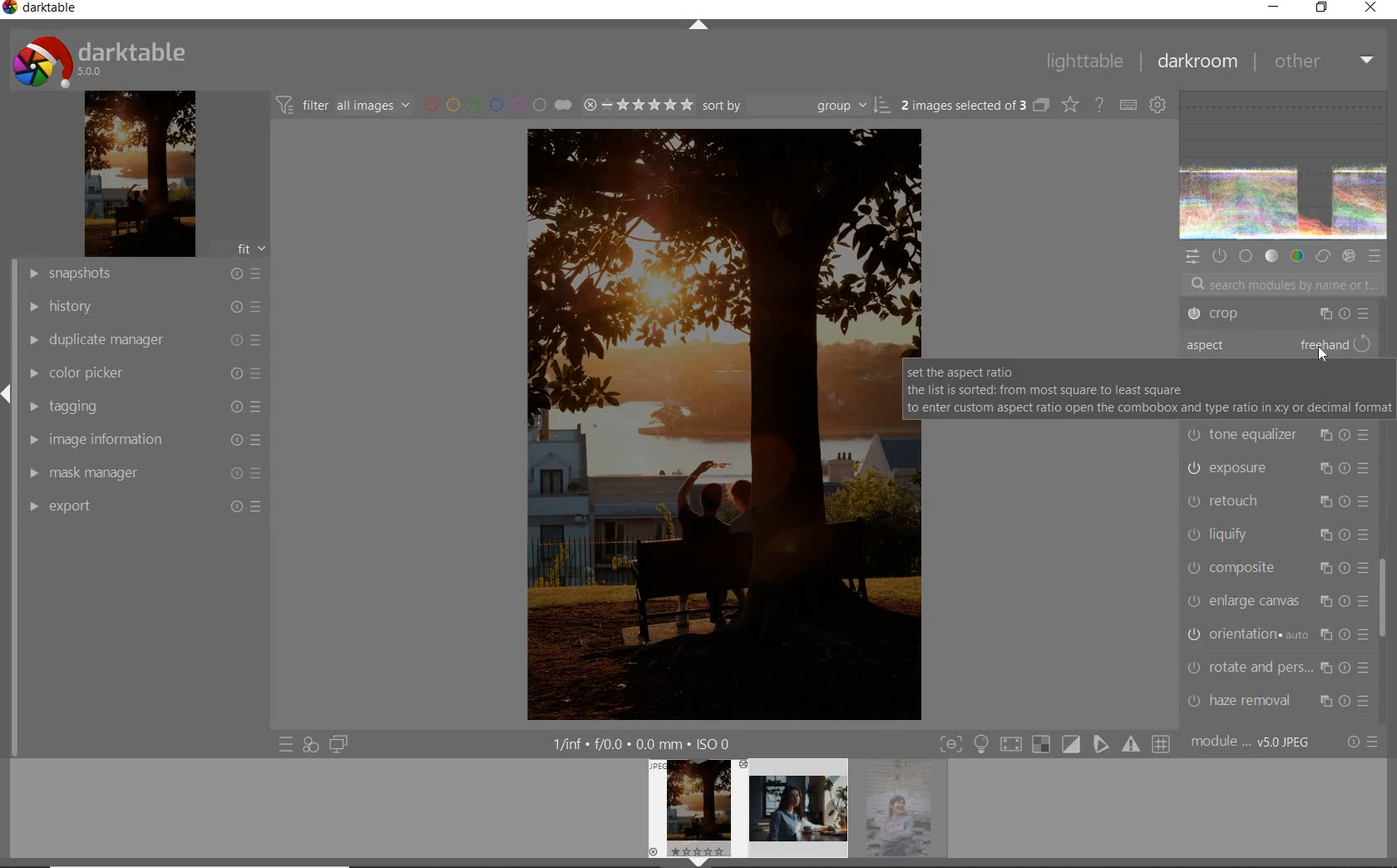  I want to click on correct, so click(1321, 255).